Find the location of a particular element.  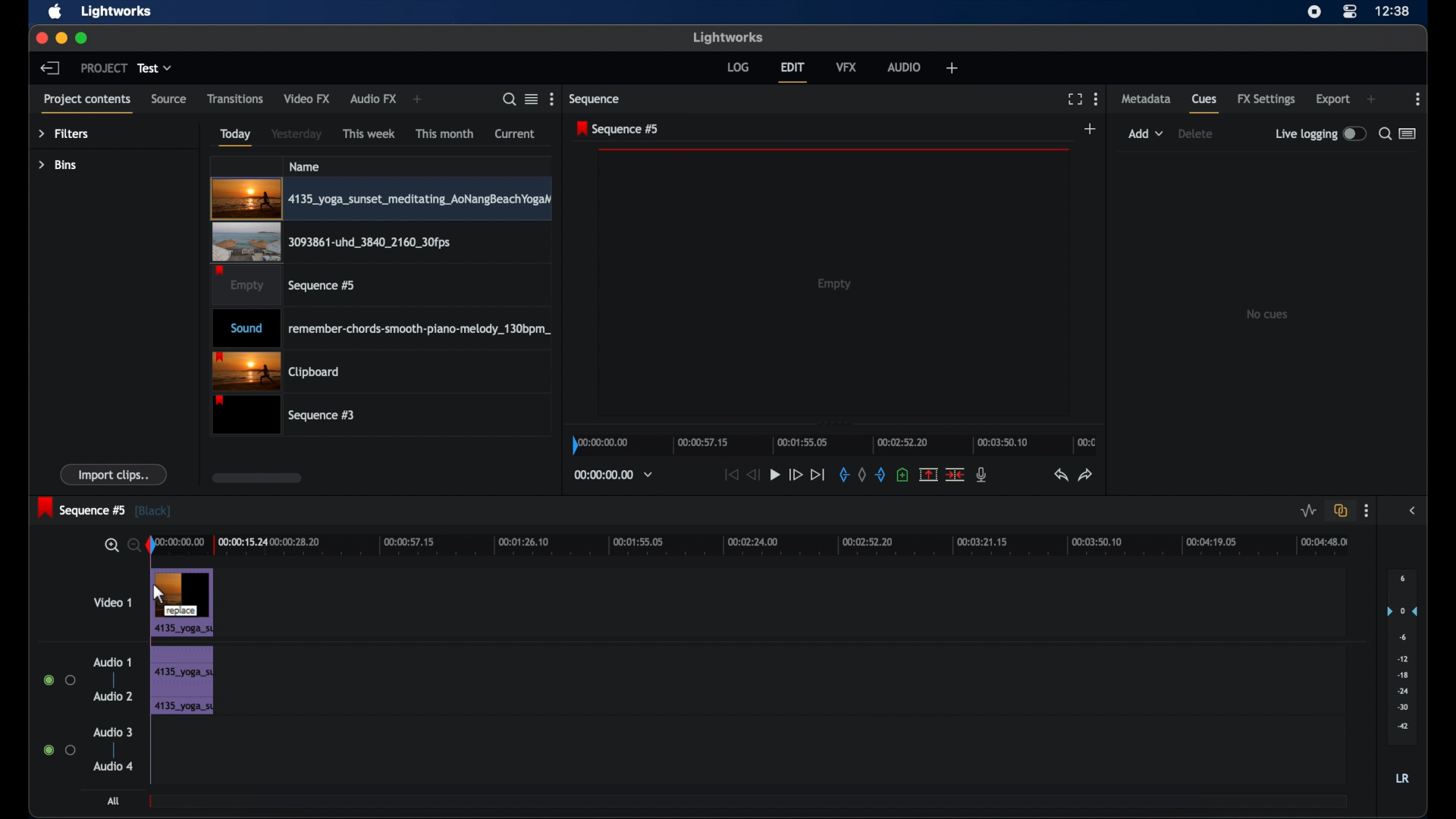

metadata is located at coordinates (1147, 99).